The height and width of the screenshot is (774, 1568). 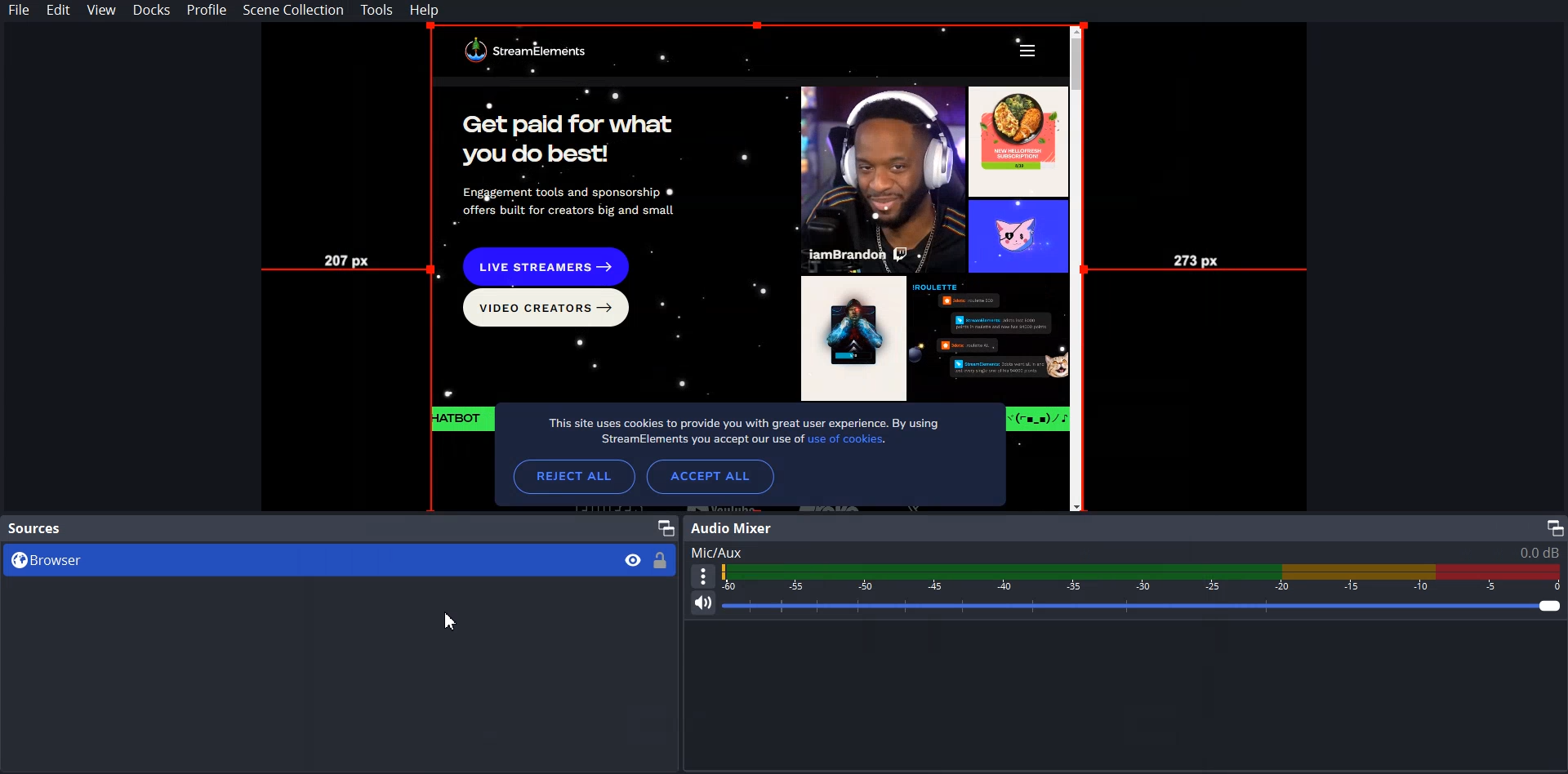 What do you see at coordinates (154, 11) in the screenshot?
I see `Docks` at bounding box center [154, 11].